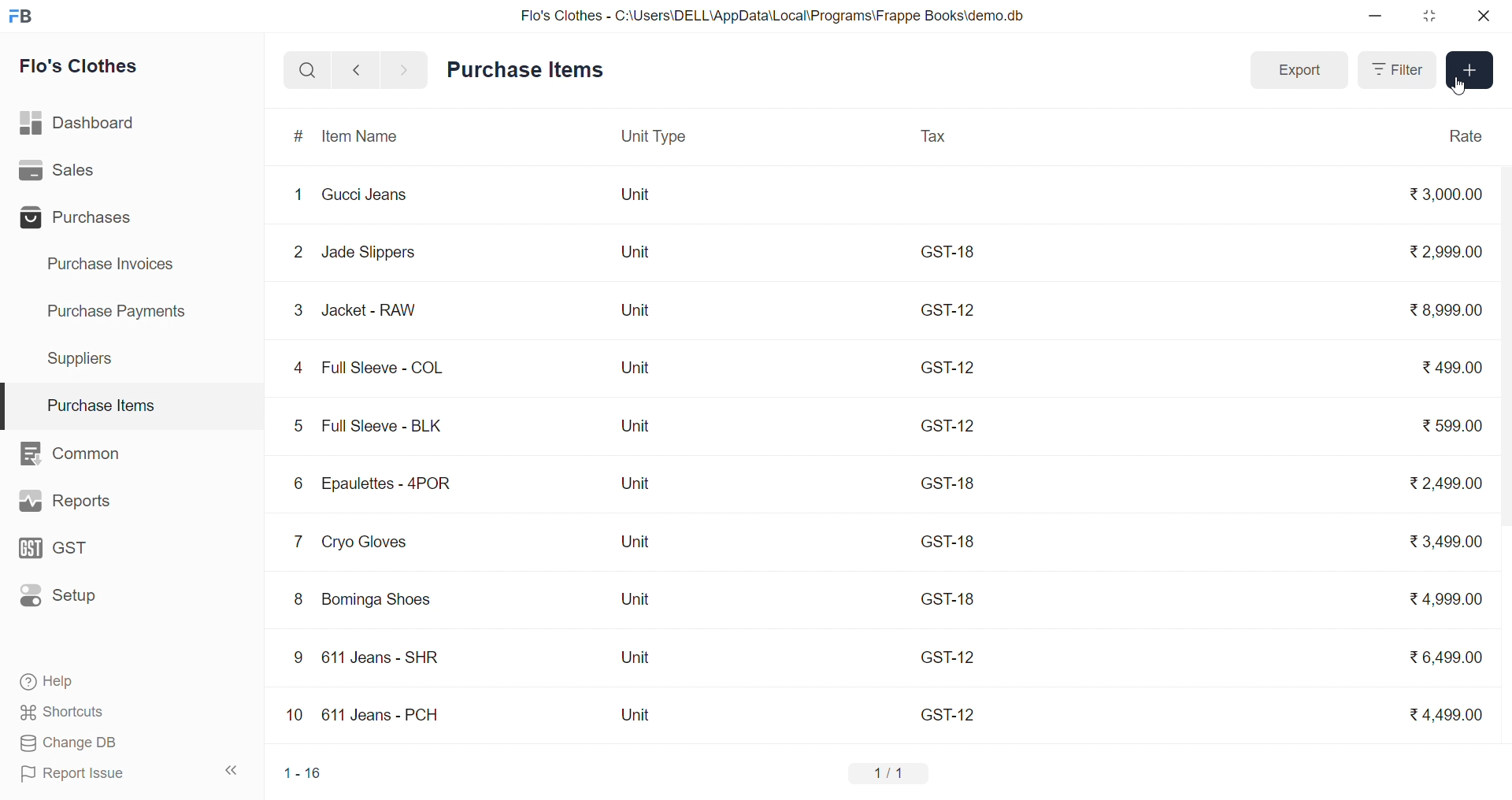 This screenshot has height=800, width=1512. Describe the element at coordinates (81, 171) in the screenshot. I see `Sales` at that location.